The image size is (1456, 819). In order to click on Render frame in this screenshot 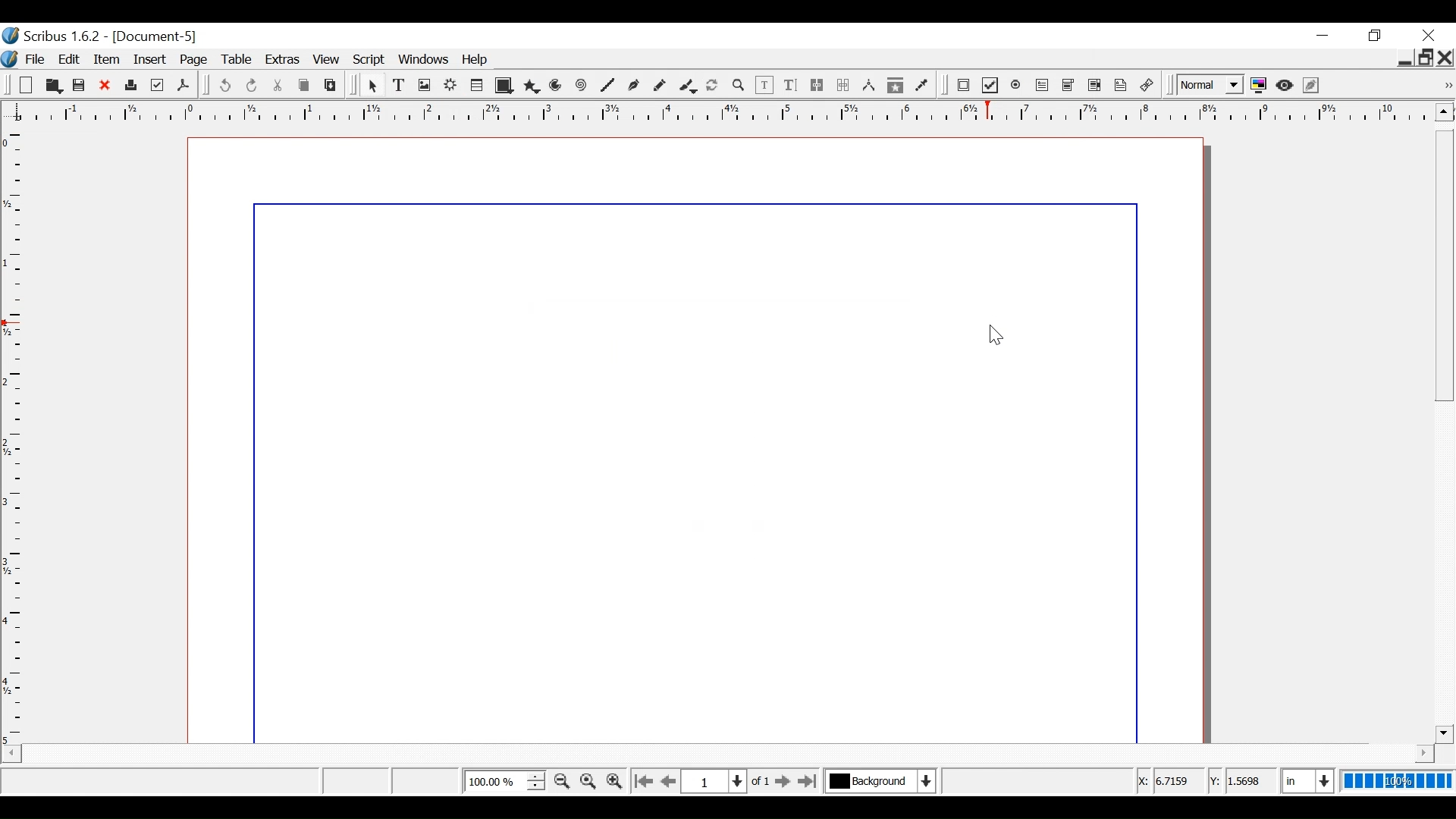, I will do `click(450, 85)`.